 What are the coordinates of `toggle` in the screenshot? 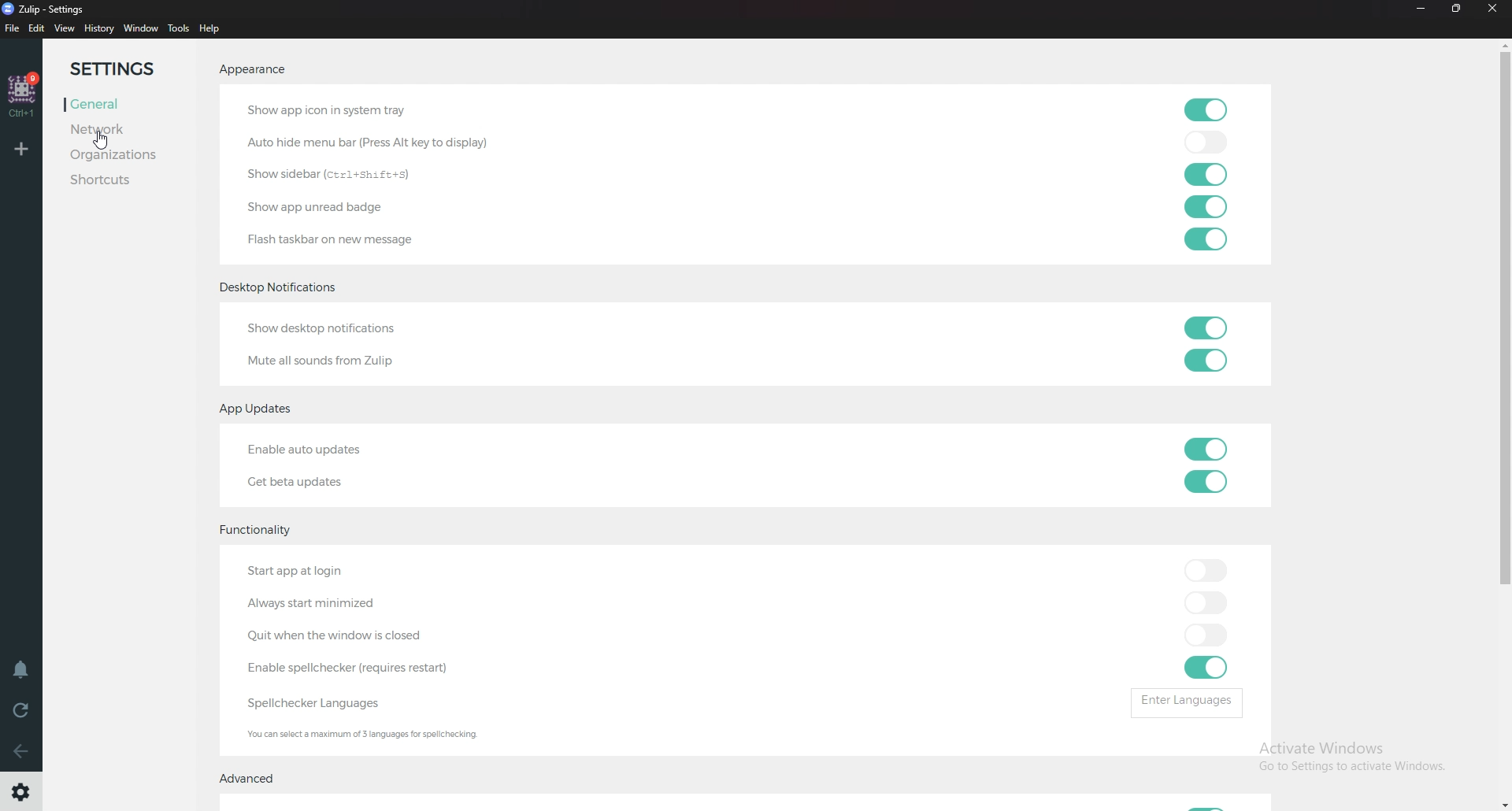 It's located at (1207, 207).